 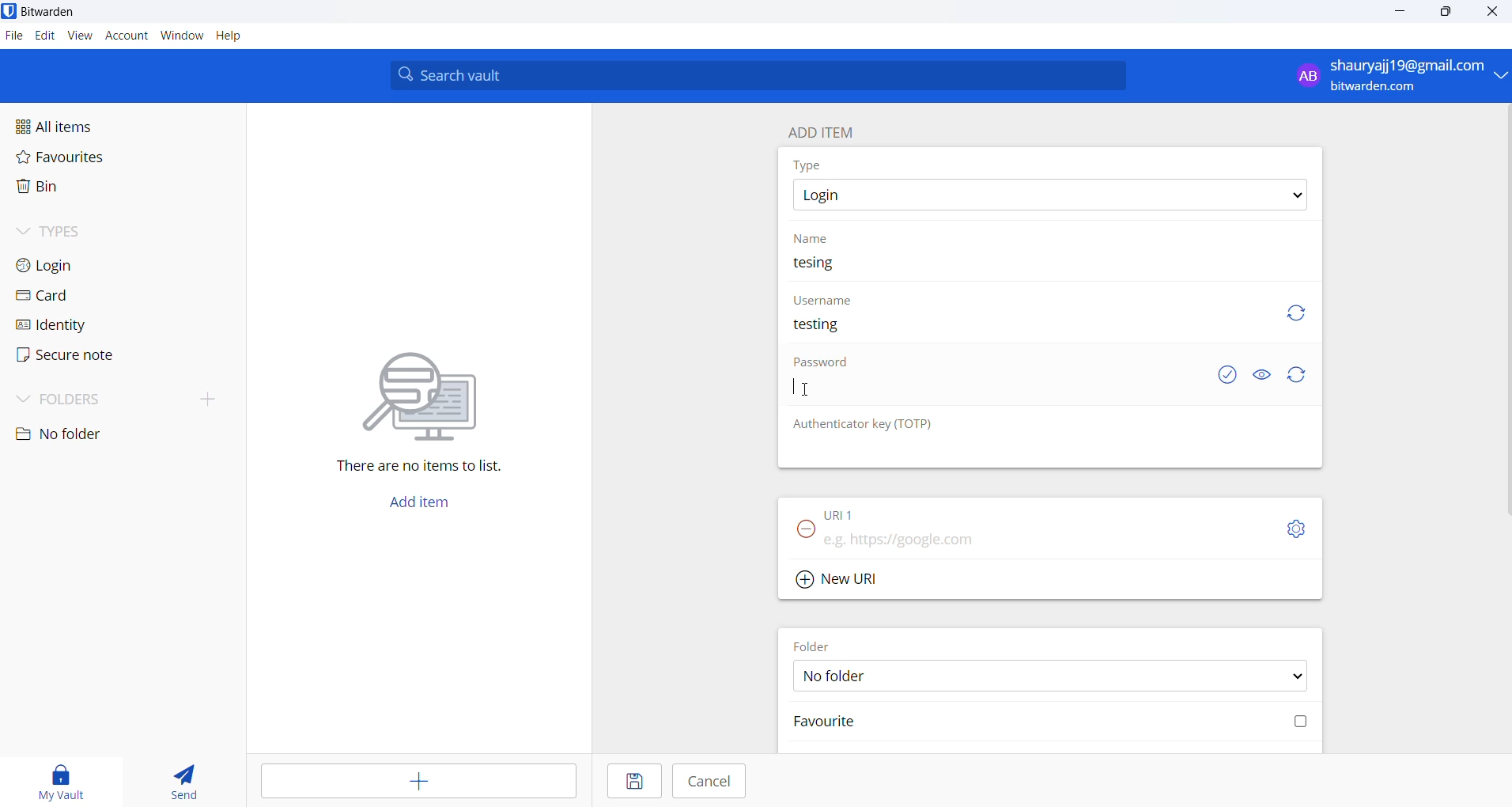 I want to click on my vault, so click(x=55, y=779).